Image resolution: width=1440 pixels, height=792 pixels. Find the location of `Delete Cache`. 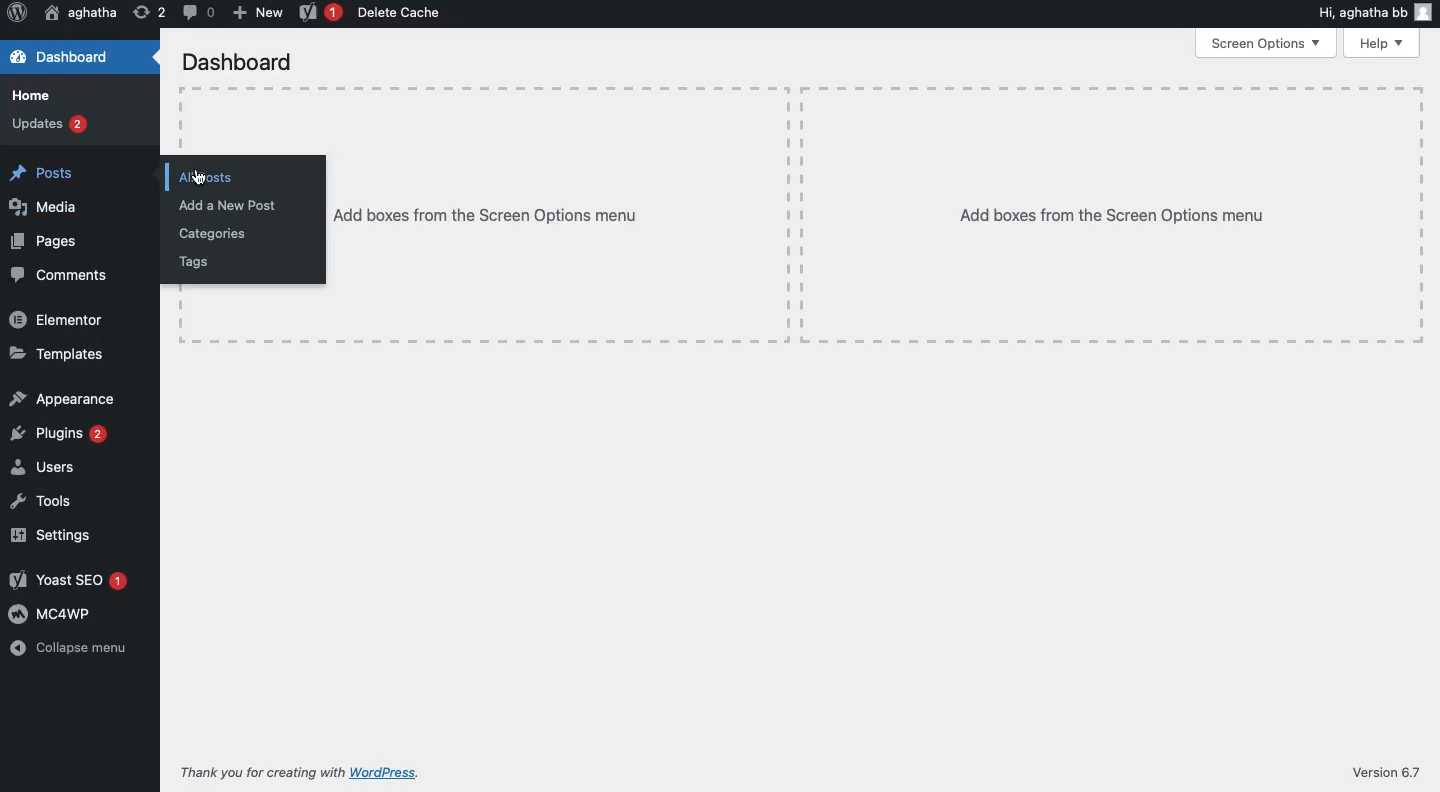

Delete Cache is located at coordinates (403, 14).